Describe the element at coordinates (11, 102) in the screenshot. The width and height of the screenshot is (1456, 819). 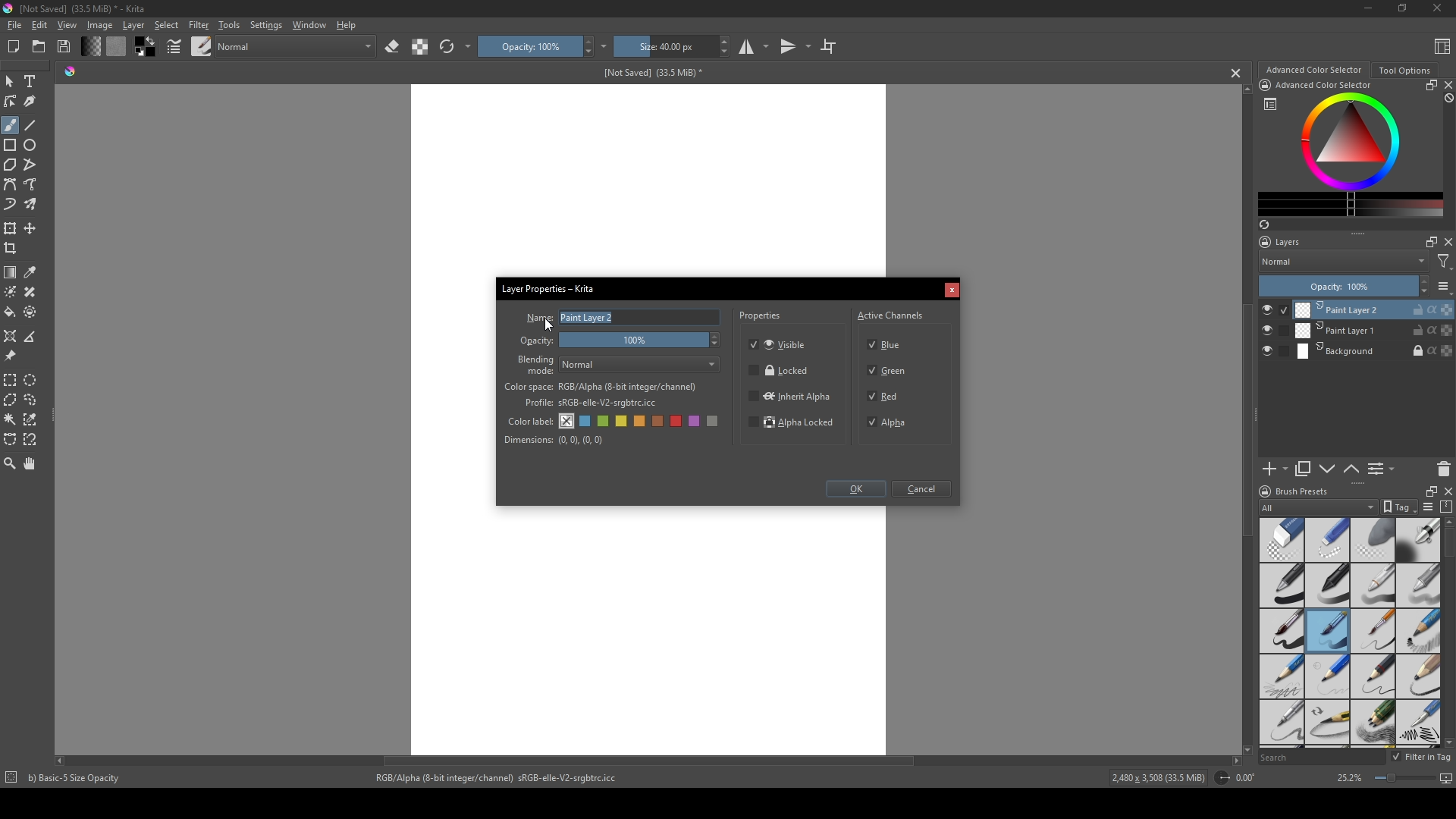
I see `edit shapes` at that location.